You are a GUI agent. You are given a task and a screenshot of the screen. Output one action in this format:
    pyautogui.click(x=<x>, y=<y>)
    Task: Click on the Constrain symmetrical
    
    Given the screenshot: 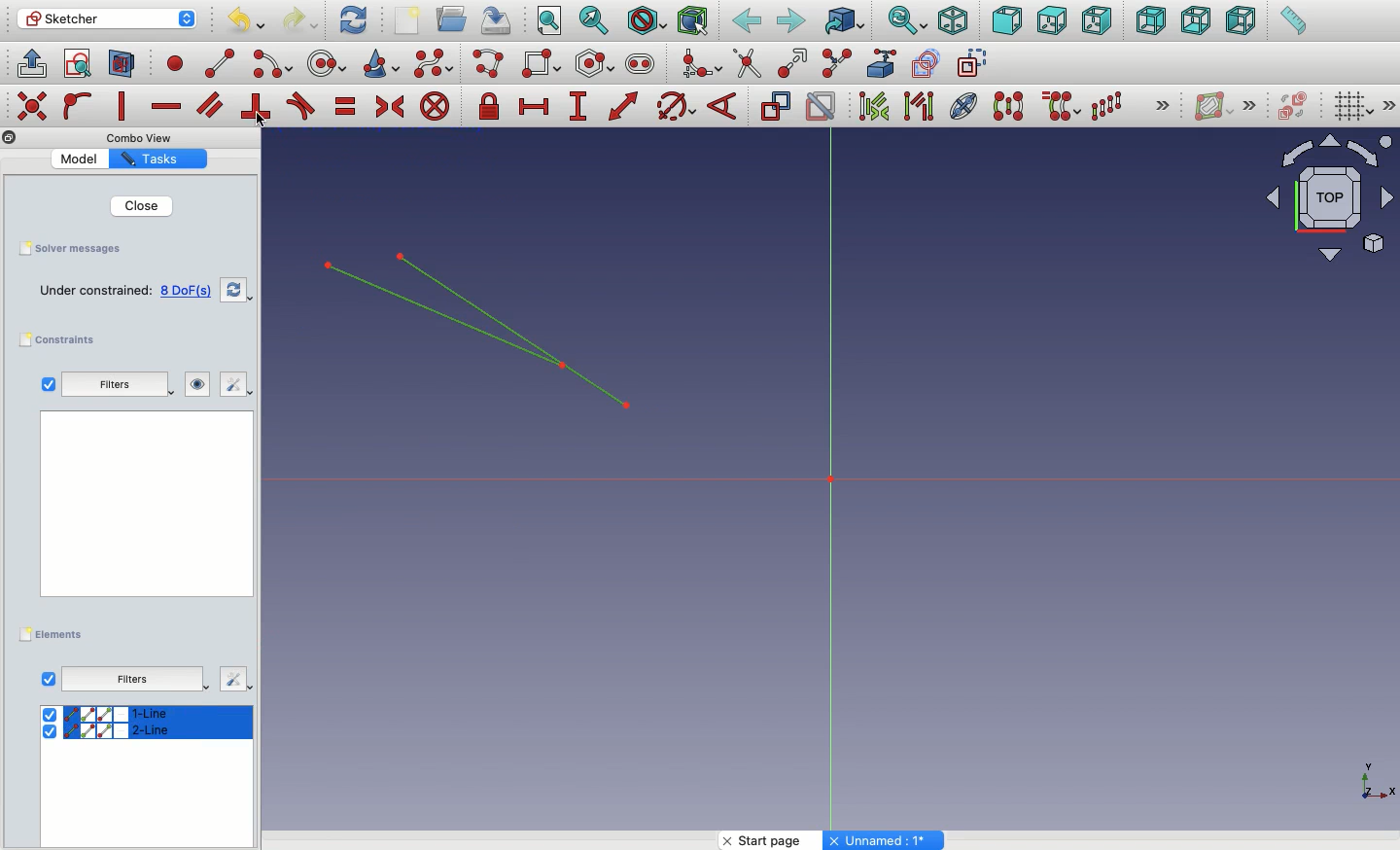 What is the action you would take?
    pyautogui.click(x=390, y=107)
    